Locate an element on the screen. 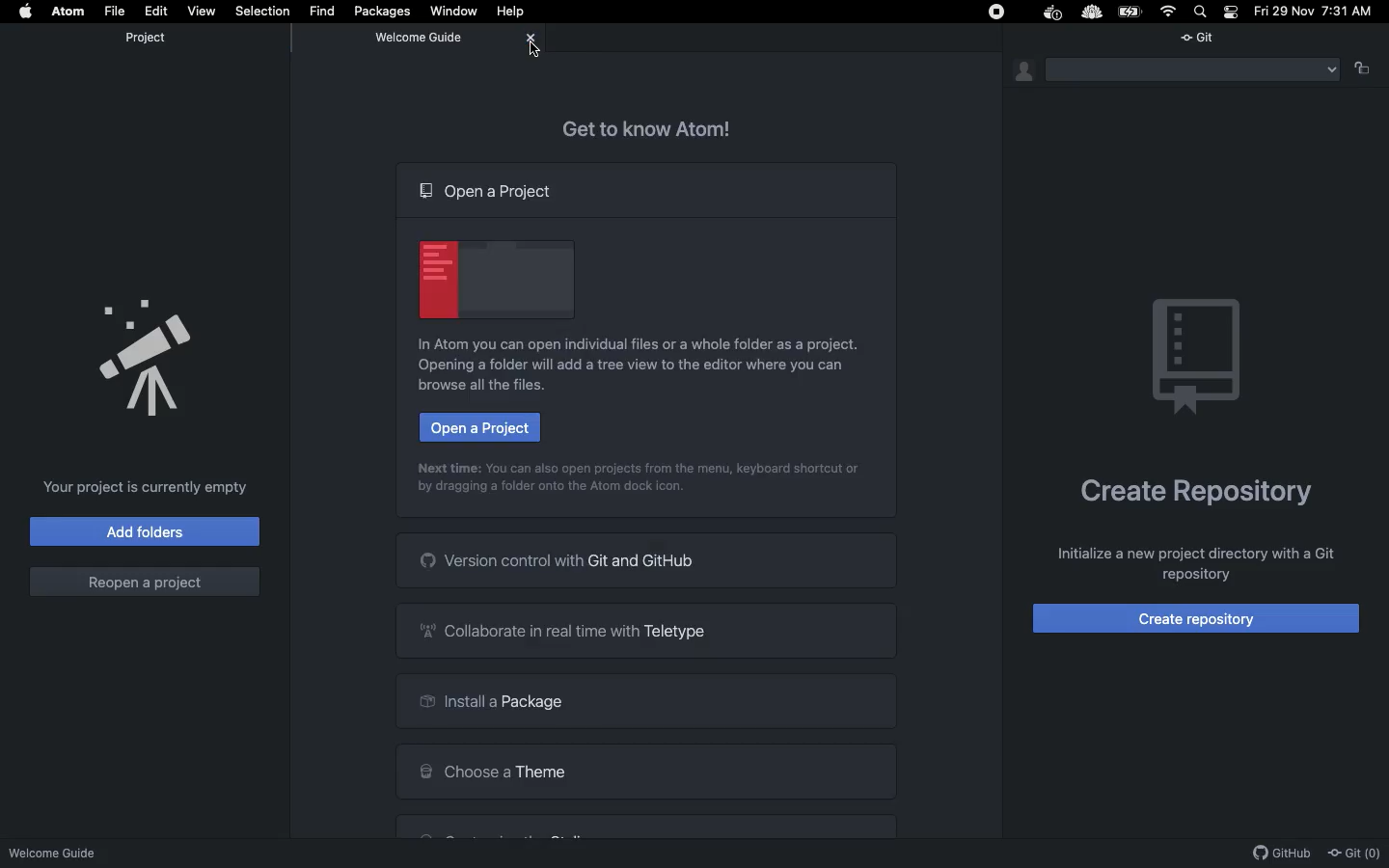 This screenshot has width=1389, height=868. Initialize a new project directory with a Git
repository is located at coordinates (1196, 564).